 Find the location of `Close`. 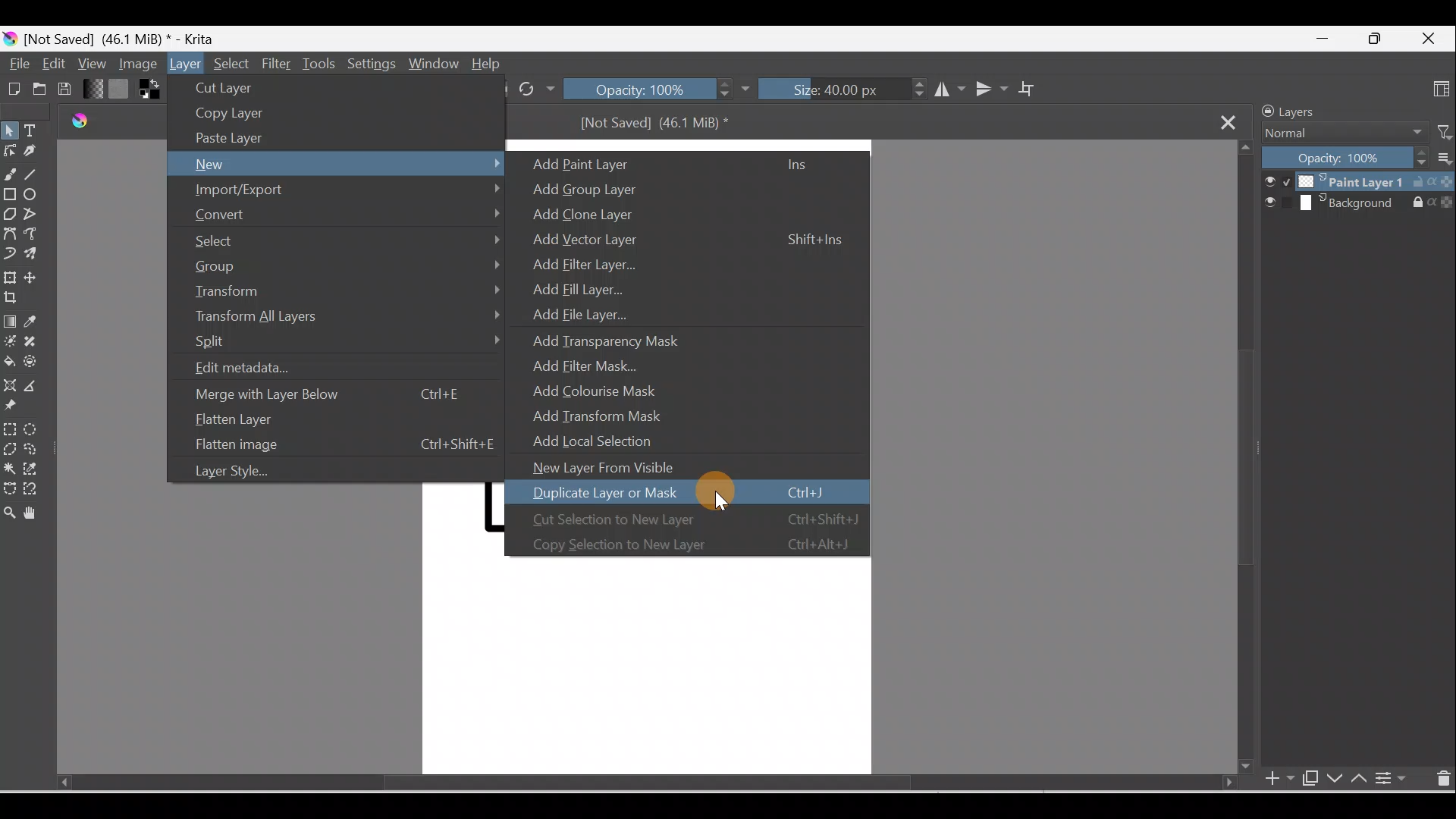

Close is located at coordinates (1431, 36).